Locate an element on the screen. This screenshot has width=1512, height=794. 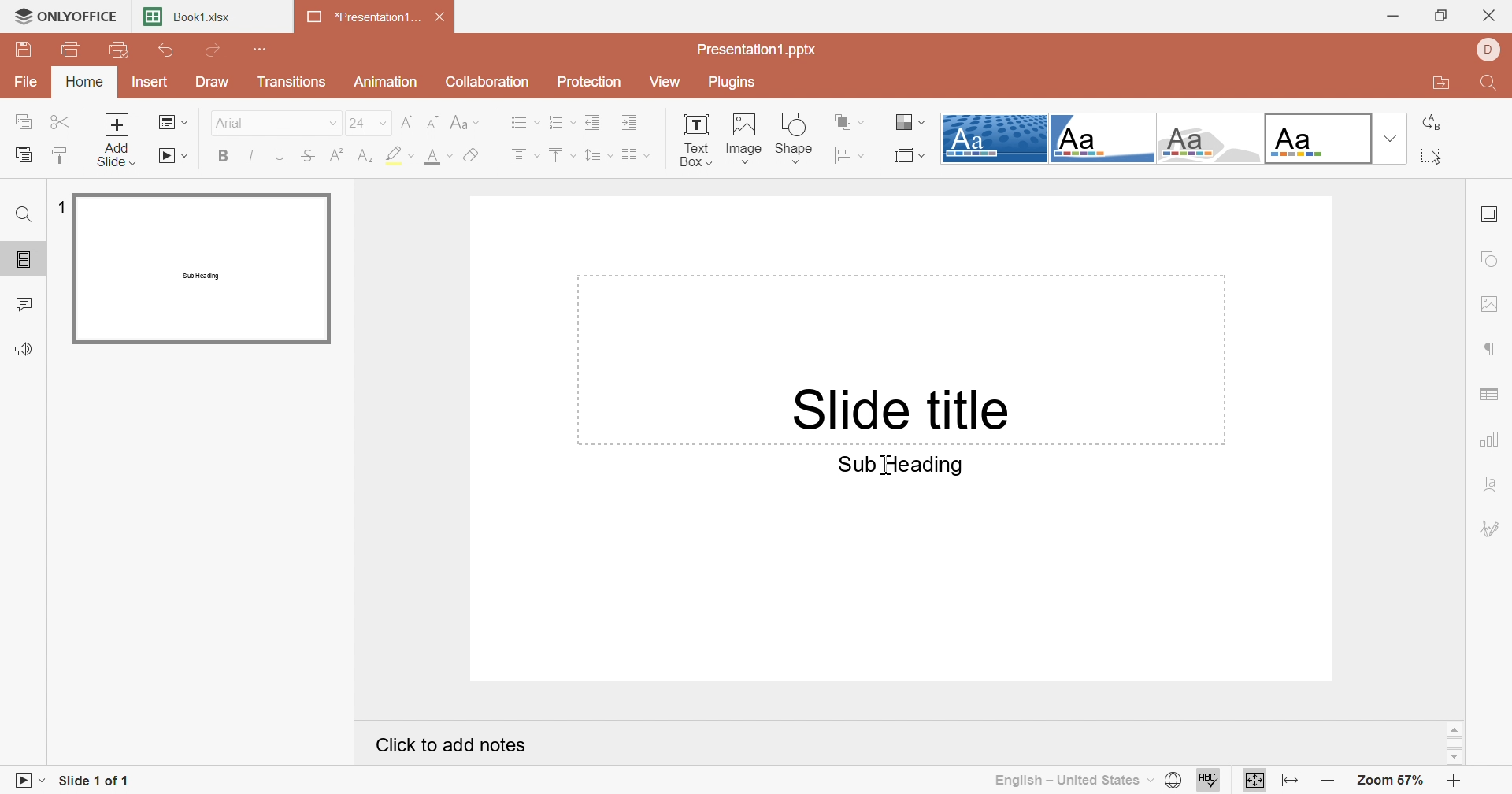
Close is located at coordinates (1489, 15).